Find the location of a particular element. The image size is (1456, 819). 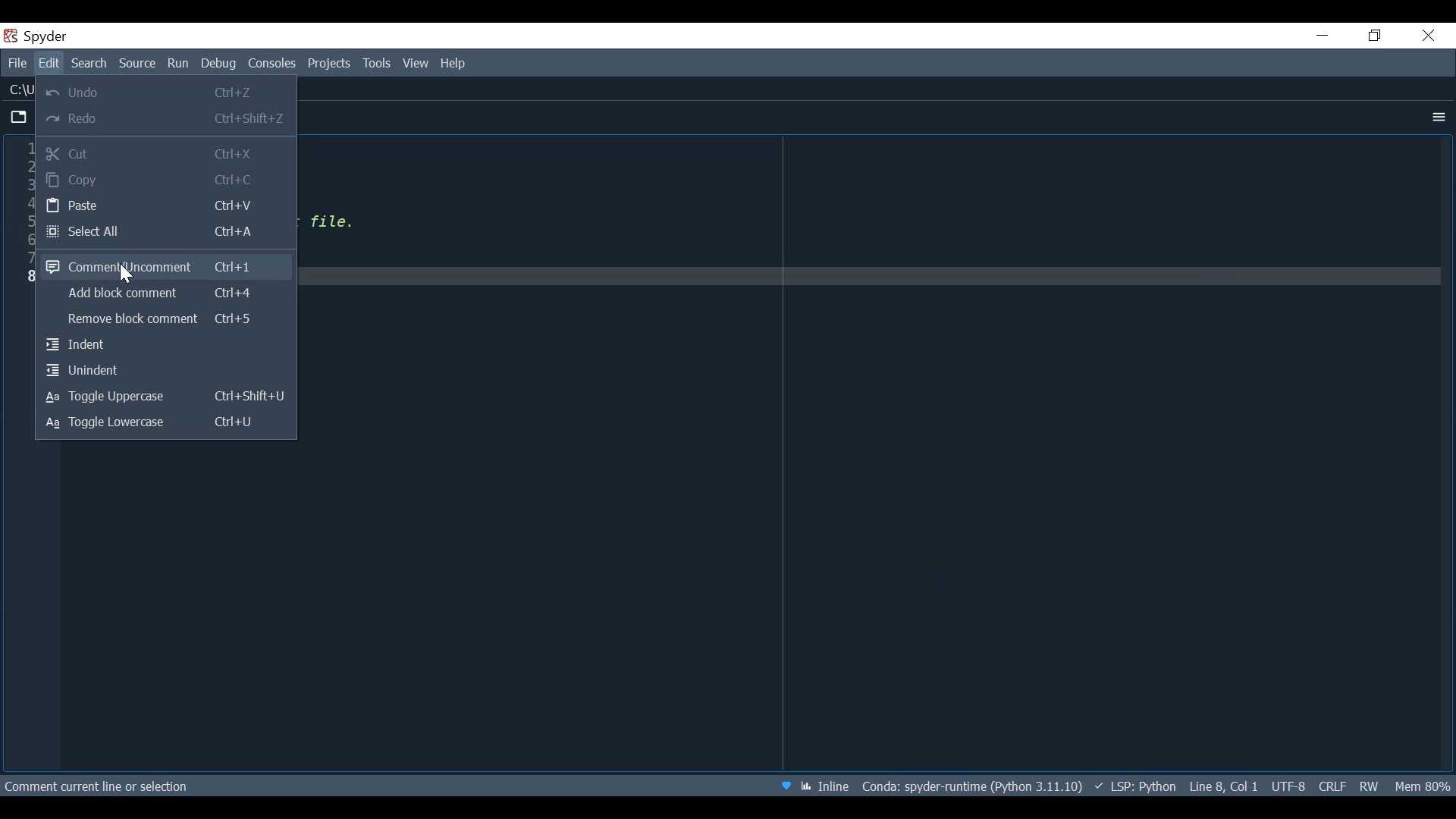

Select All is located at coordinates (167, 234).